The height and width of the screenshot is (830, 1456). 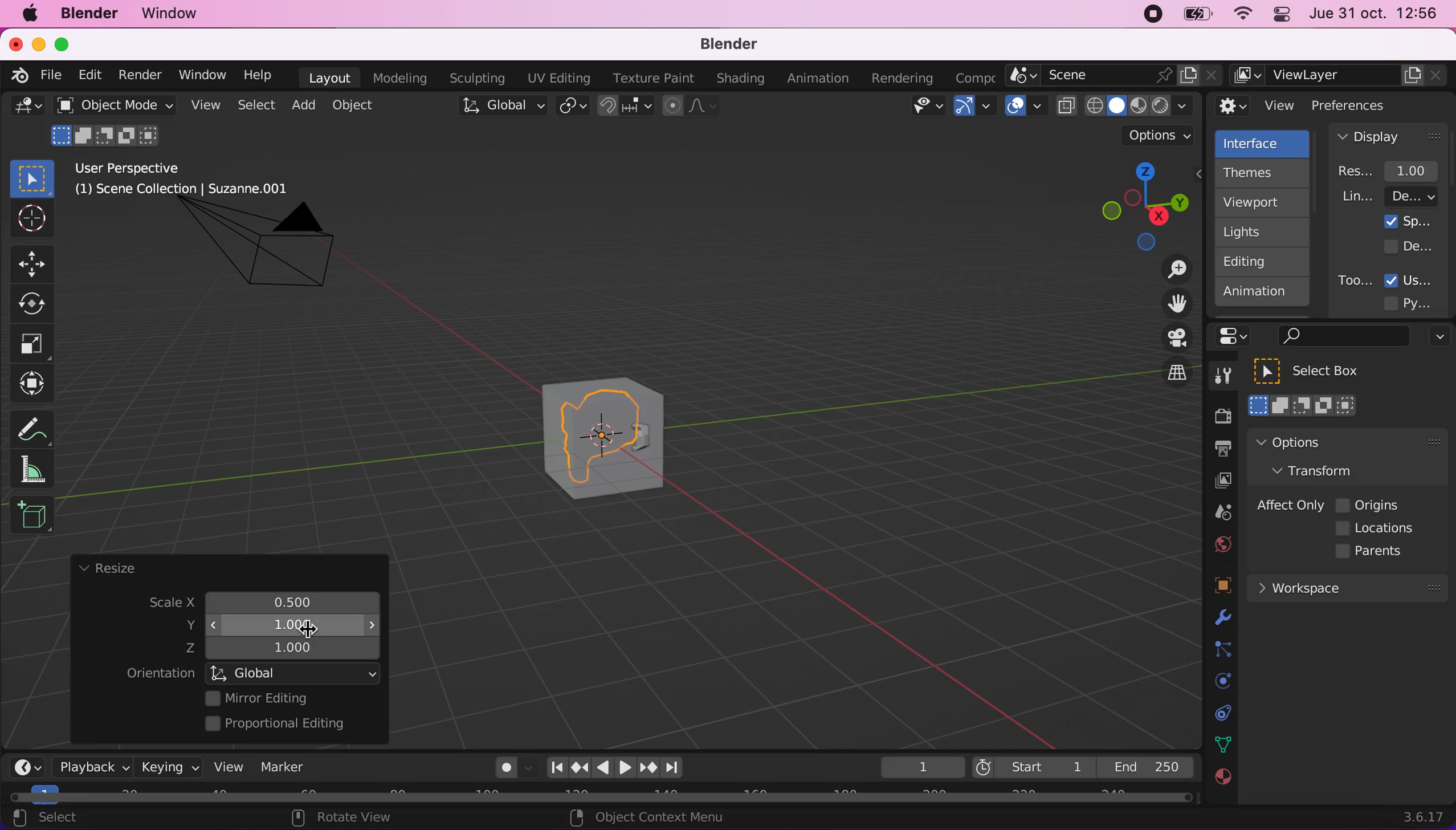 What do you see at coordinates (741, 79) in the screenshot?
I see `shading` at bounding box center [741, 79].